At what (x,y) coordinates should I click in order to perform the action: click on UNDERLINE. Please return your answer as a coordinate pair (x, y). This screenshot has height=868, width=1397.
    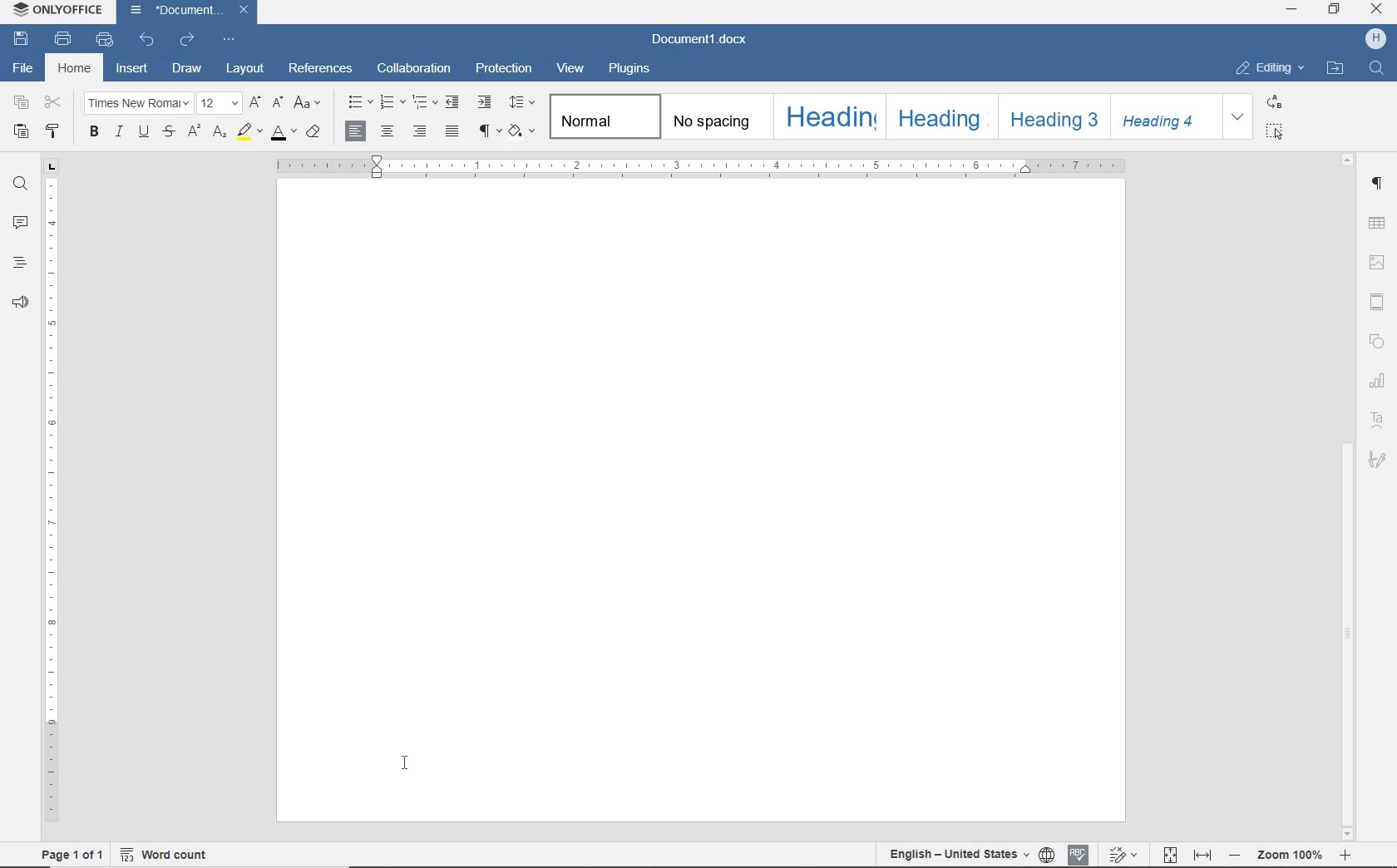
    Looking at the image, I should click on (141, 133).